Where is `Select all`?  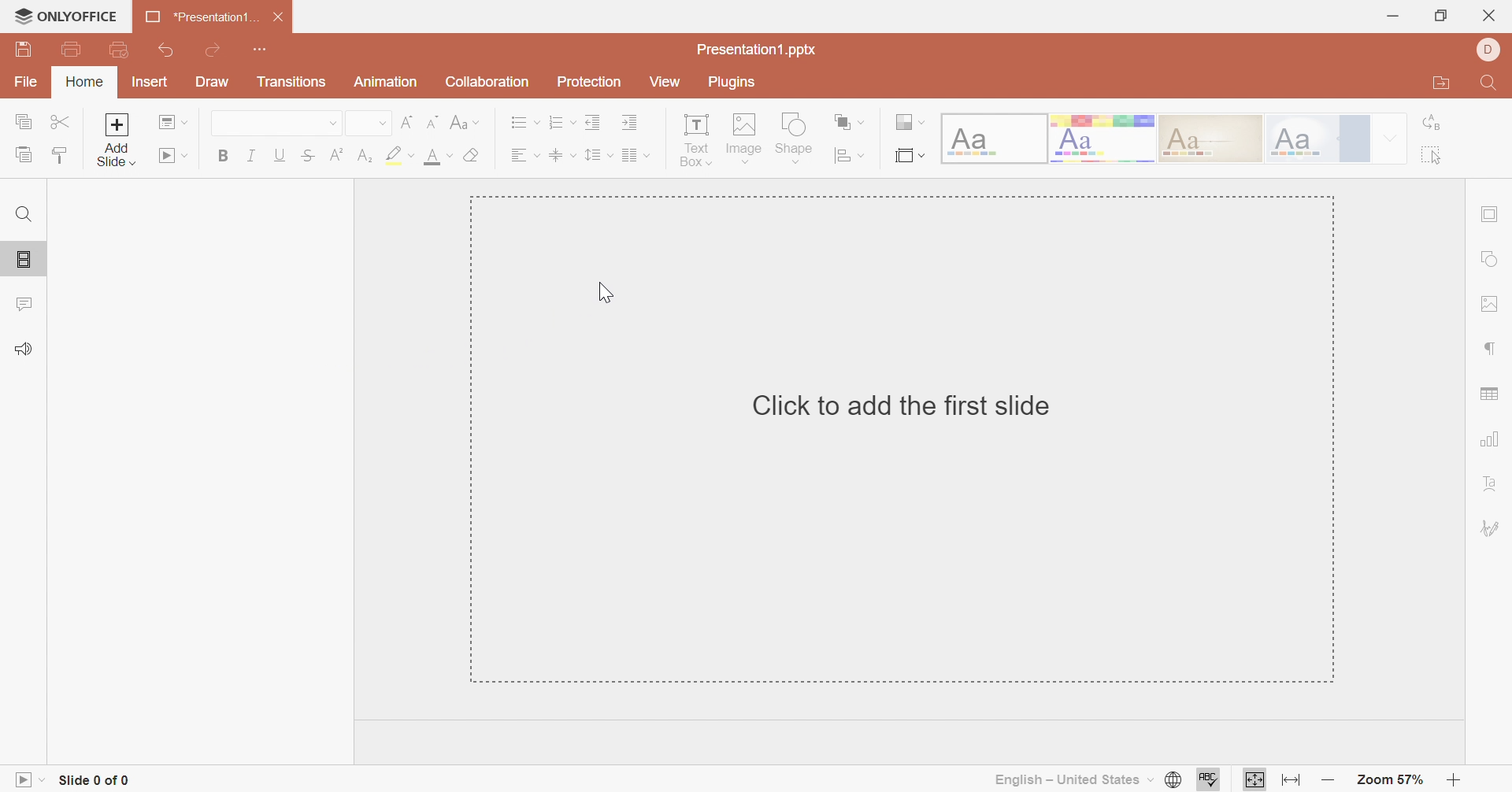
Select all is located at coordinates (1431, 155).